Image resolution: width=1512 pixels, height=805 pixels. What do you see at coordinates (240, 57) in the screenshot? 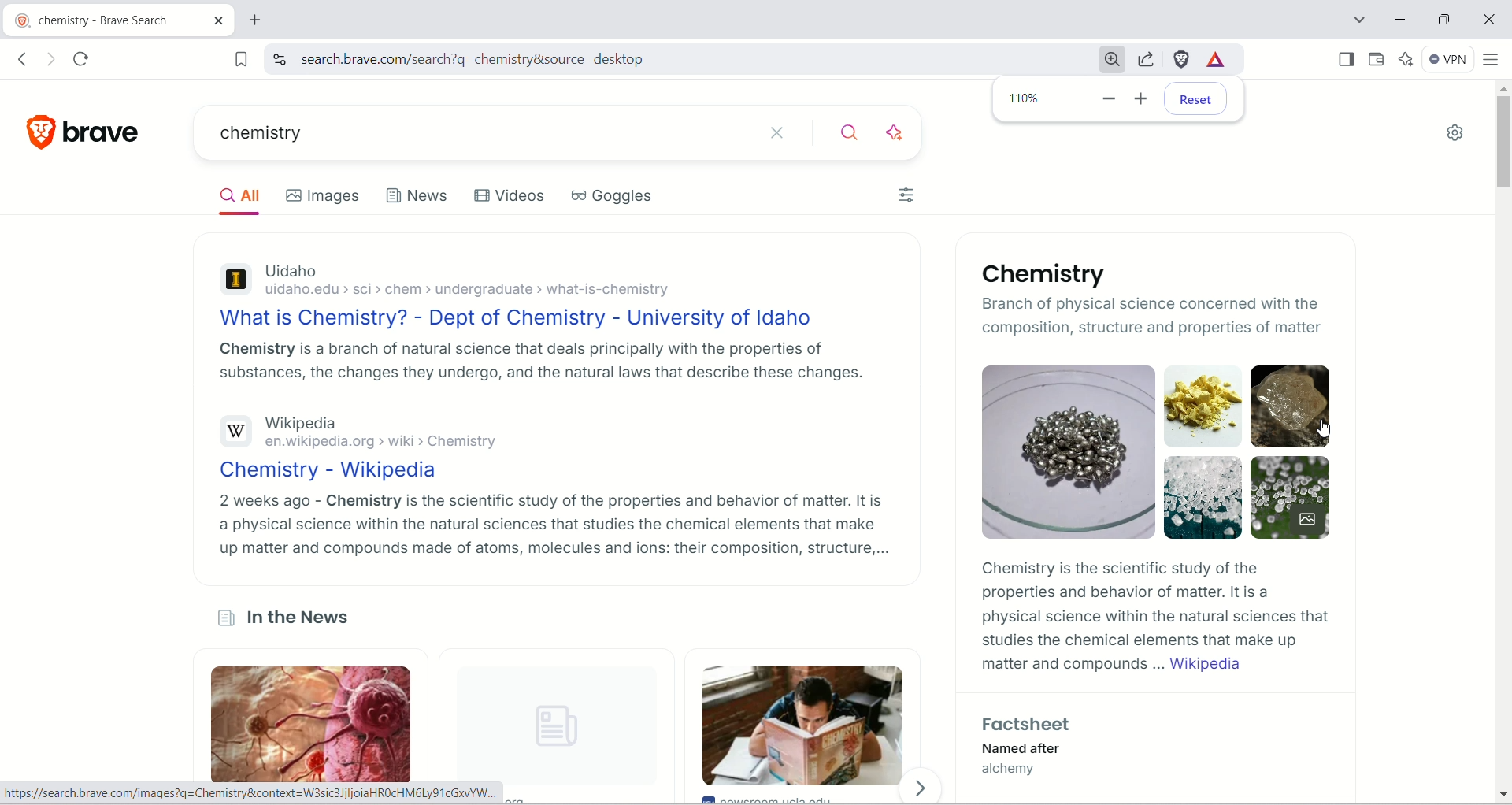
I see `bookmark` at bounding box center [240, 57].